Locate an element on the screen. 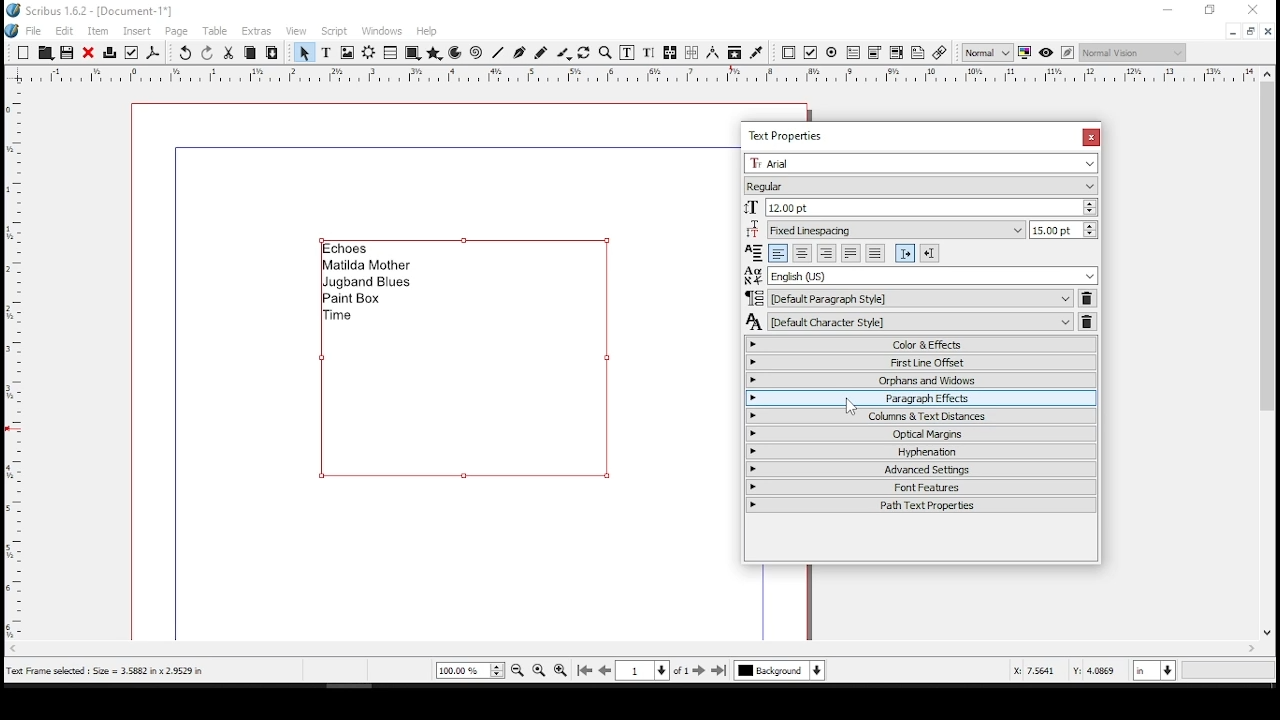 This screenshot has width=1280, height=720. text frame is located at coordinates (326, 53).